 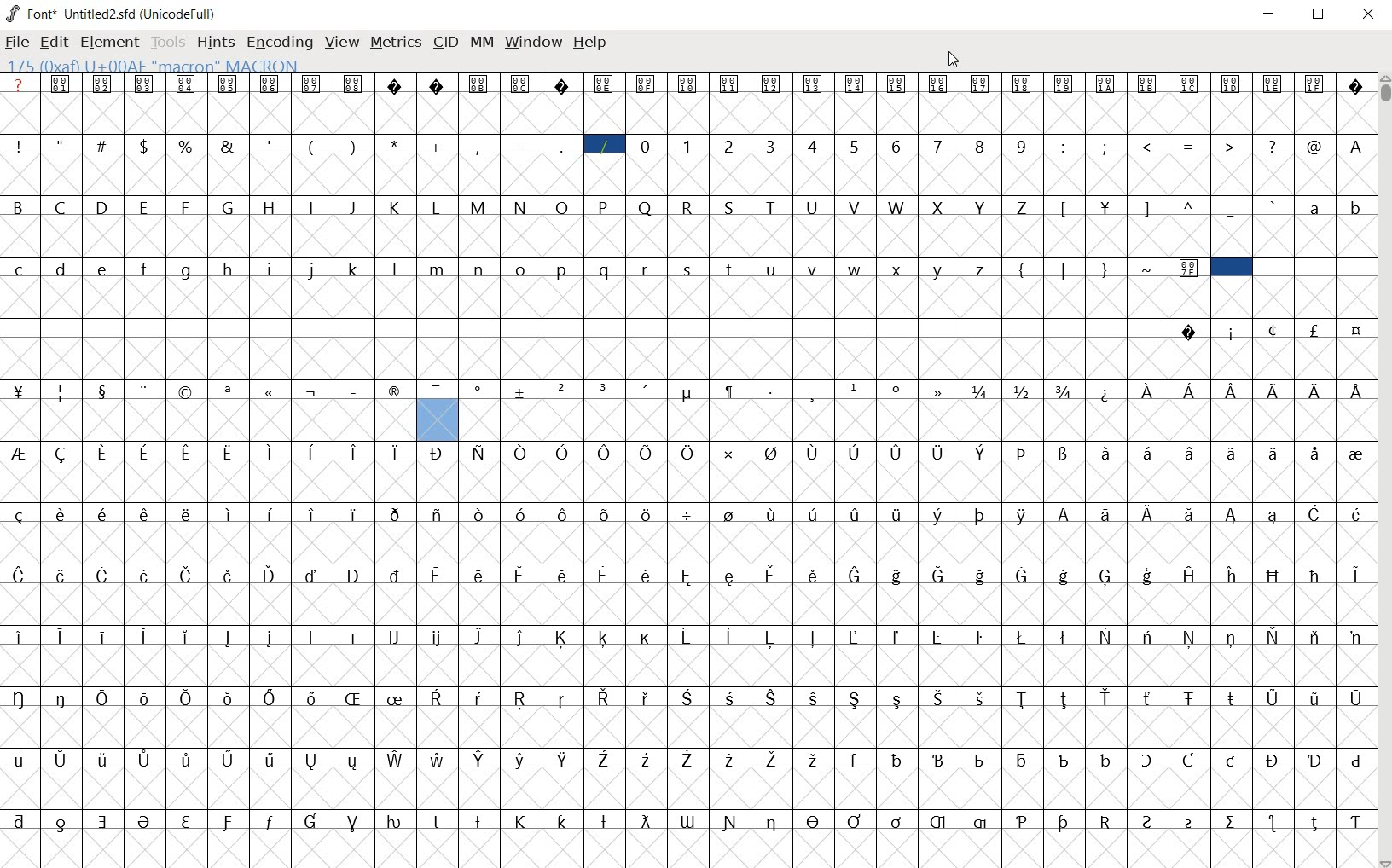 What do you see at coordinates (1150, 698) in the screenshot?
I see `Symbol` at bounding box center [1150, 698].